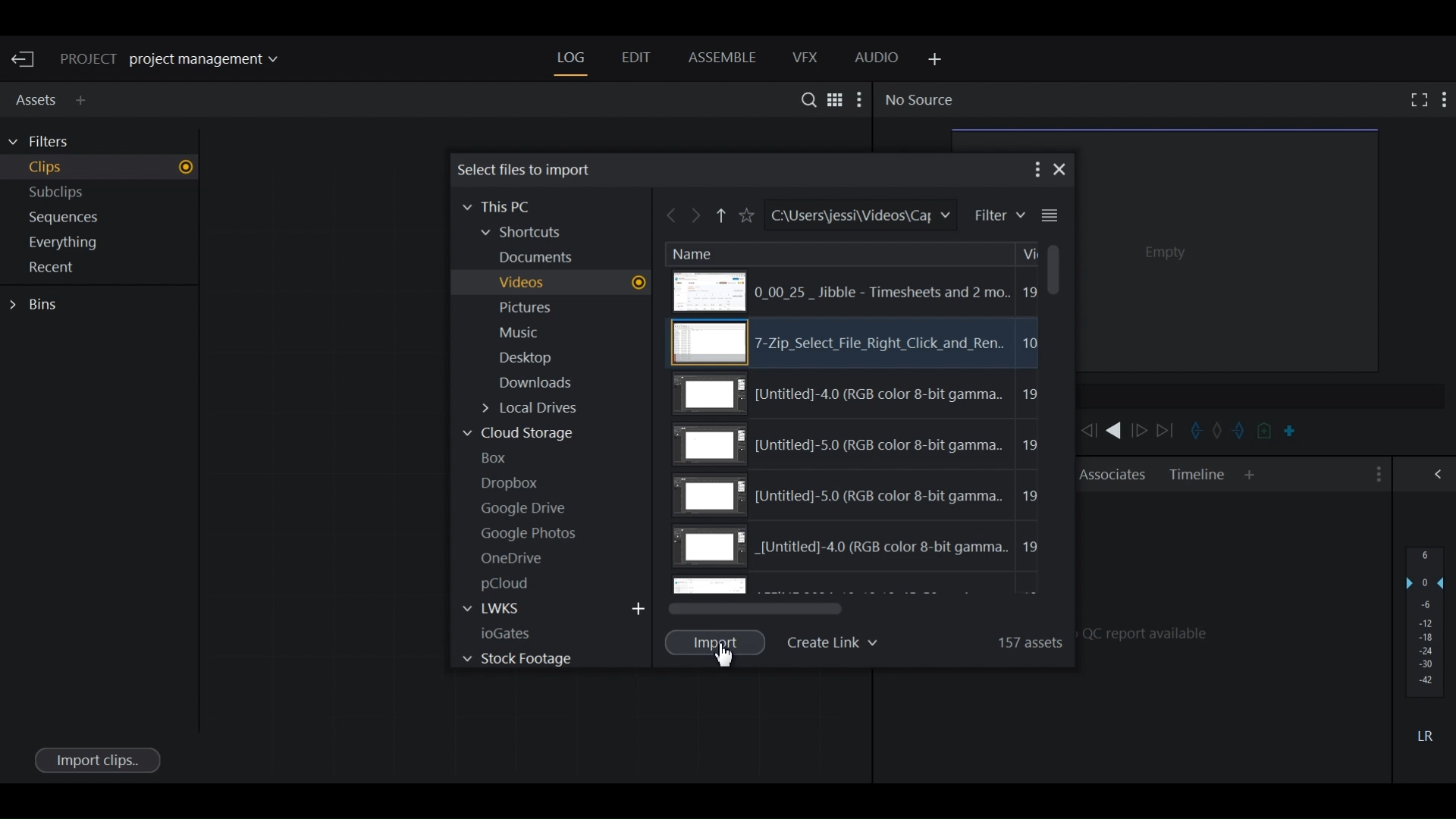  Describe the element at coordinates (1291, 432) in the screenshot. I see `` at that location.